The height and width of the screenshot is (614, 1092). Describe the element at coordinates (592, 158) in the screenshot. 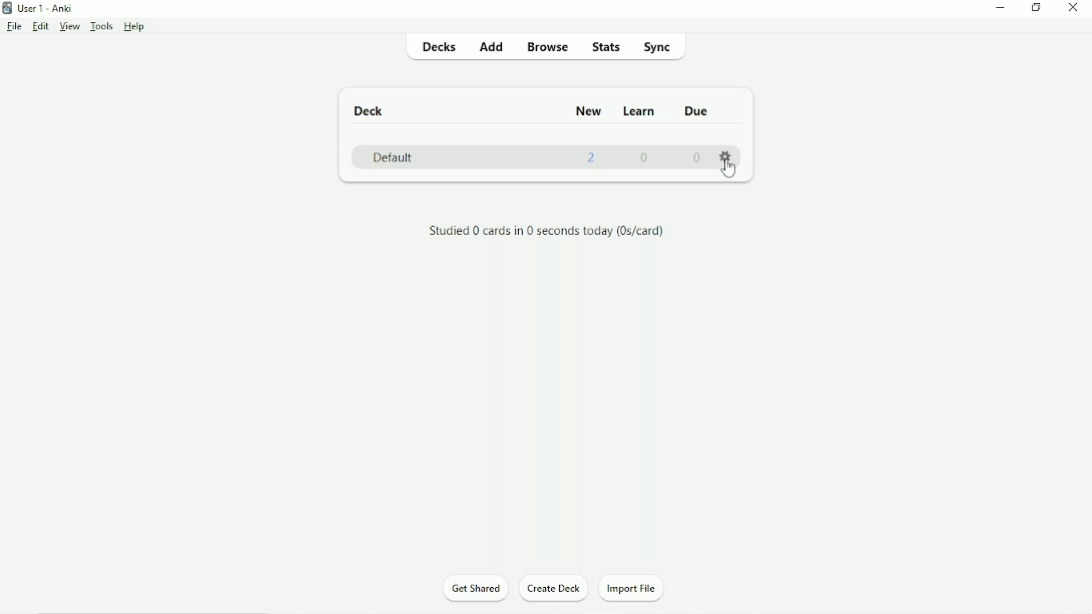

I see `2` at that location.